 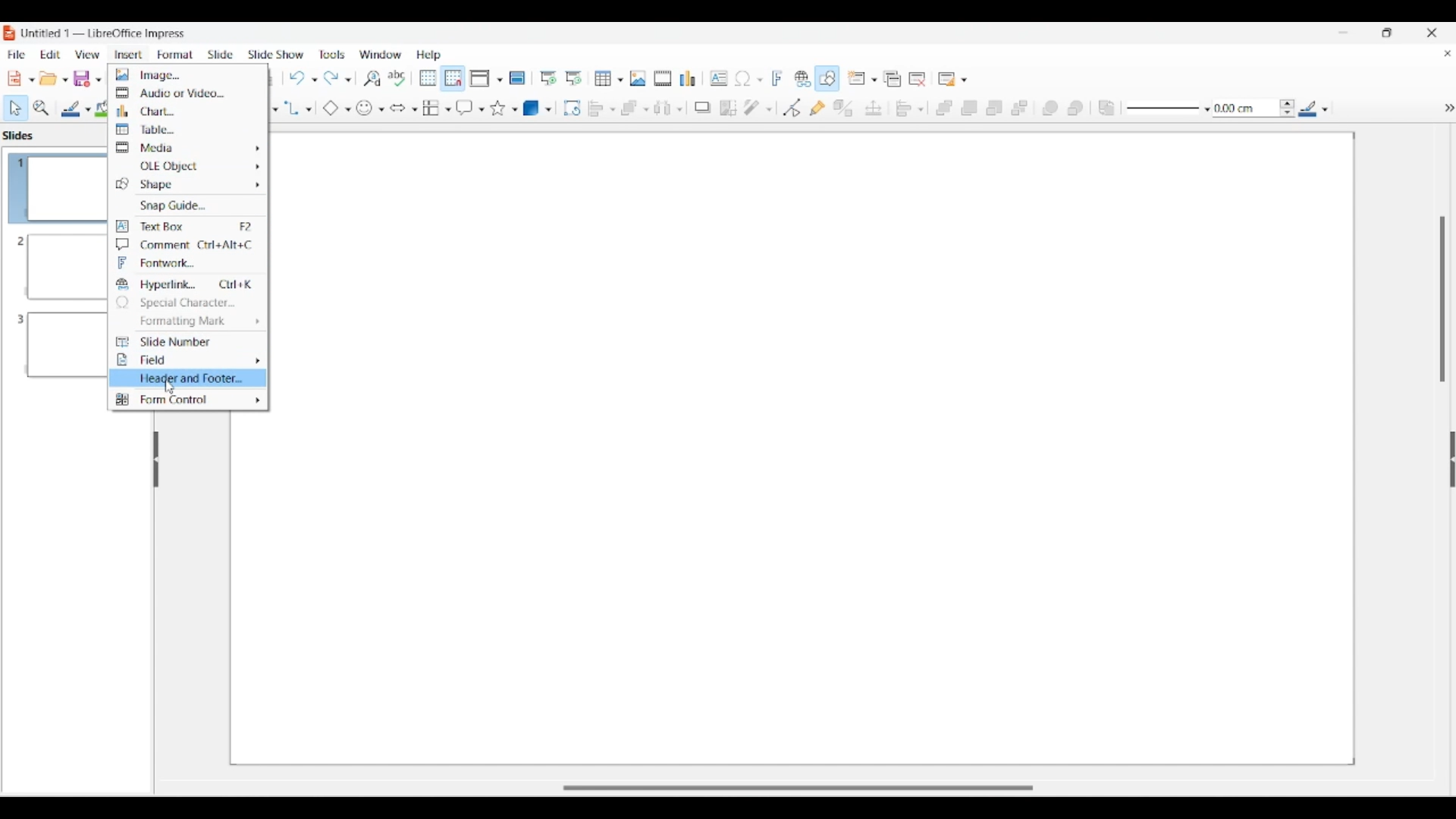 What do you see at coordinates (504, 108) in the screenshot?
I see `Star and banner options` at bounding box center [504, 108].